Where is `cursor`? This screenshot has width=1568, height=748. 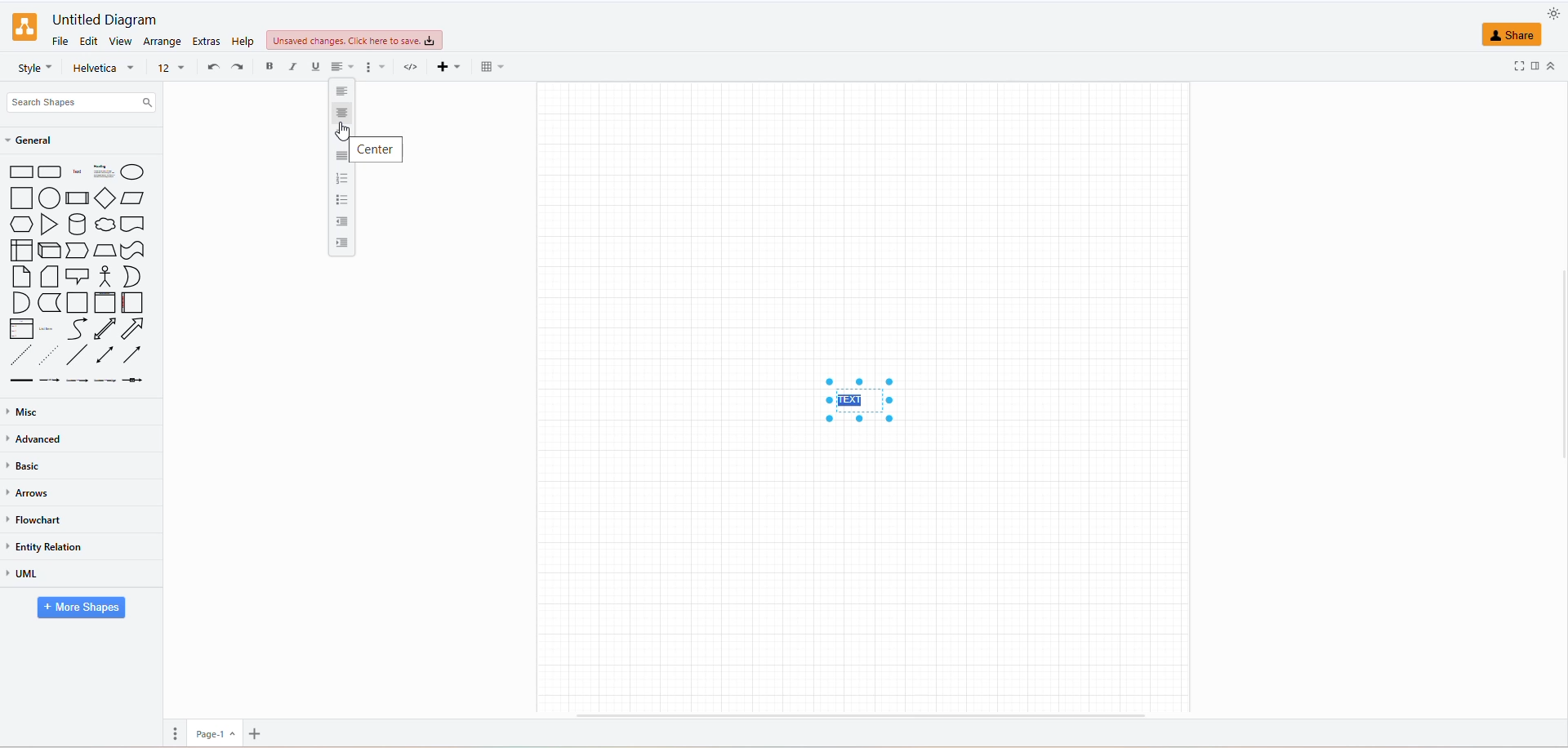 cursor is located at coordinates (343, 132).